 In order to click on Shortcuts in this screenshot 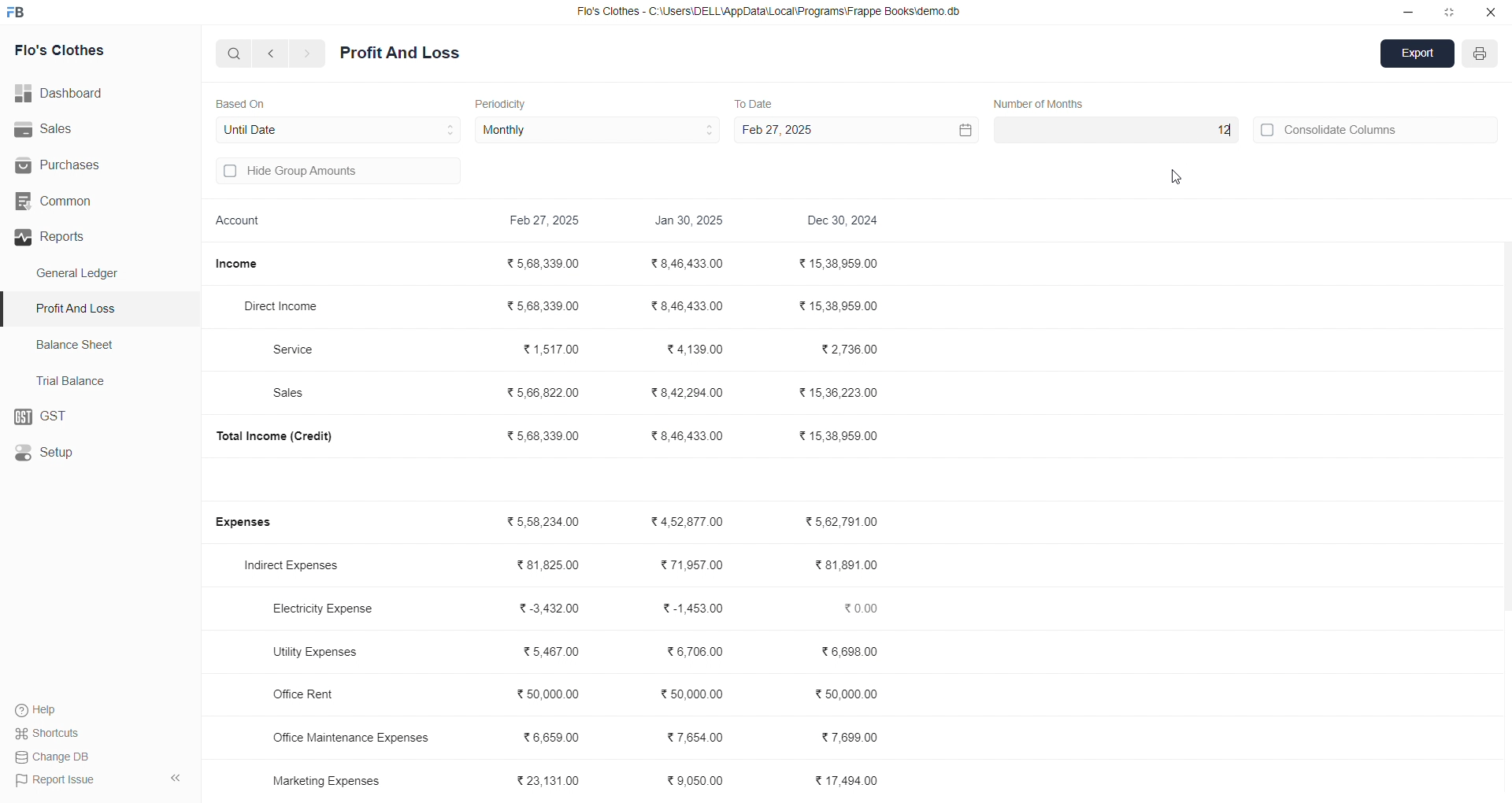, I will do `click(52, 732)`.